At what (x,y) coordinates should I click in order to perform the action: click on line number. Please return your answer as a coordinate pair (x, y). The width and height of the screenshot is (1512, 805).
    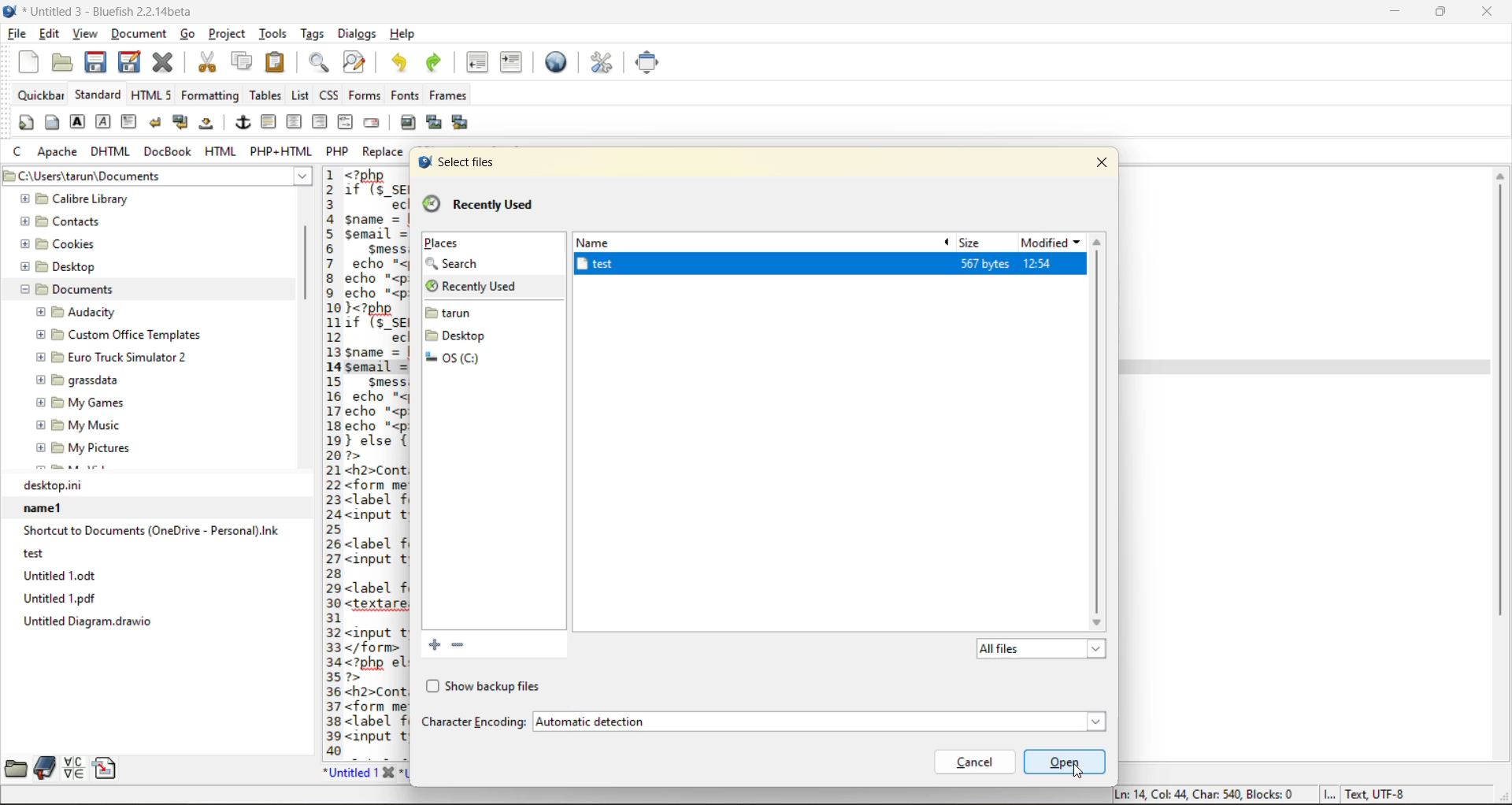
    Looking at the image, I should click on (328, 462).